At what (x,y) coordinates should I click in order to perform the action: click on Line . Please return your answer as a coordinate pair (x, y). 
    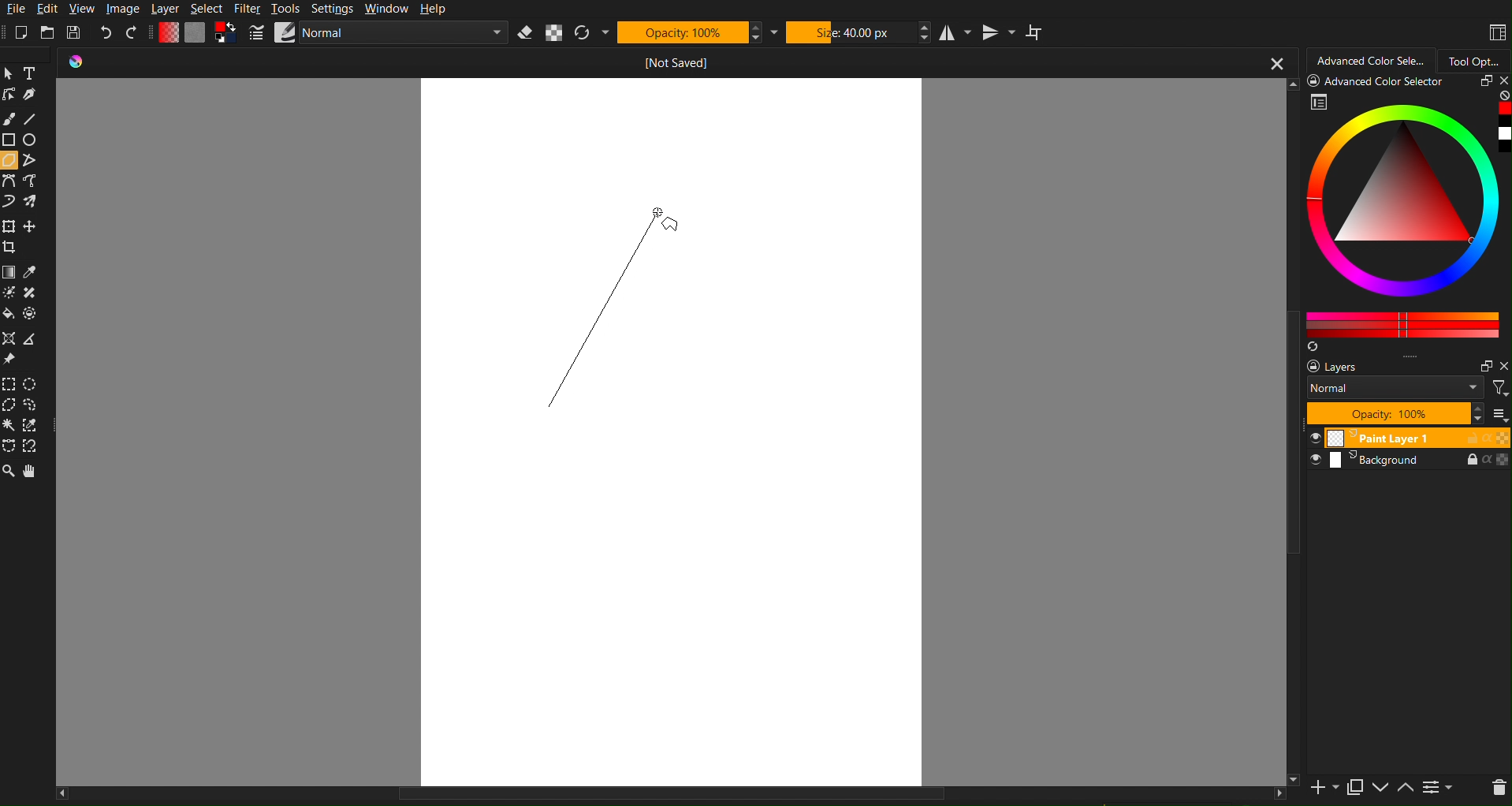
    Looking at the image, I should click on (36, 118).